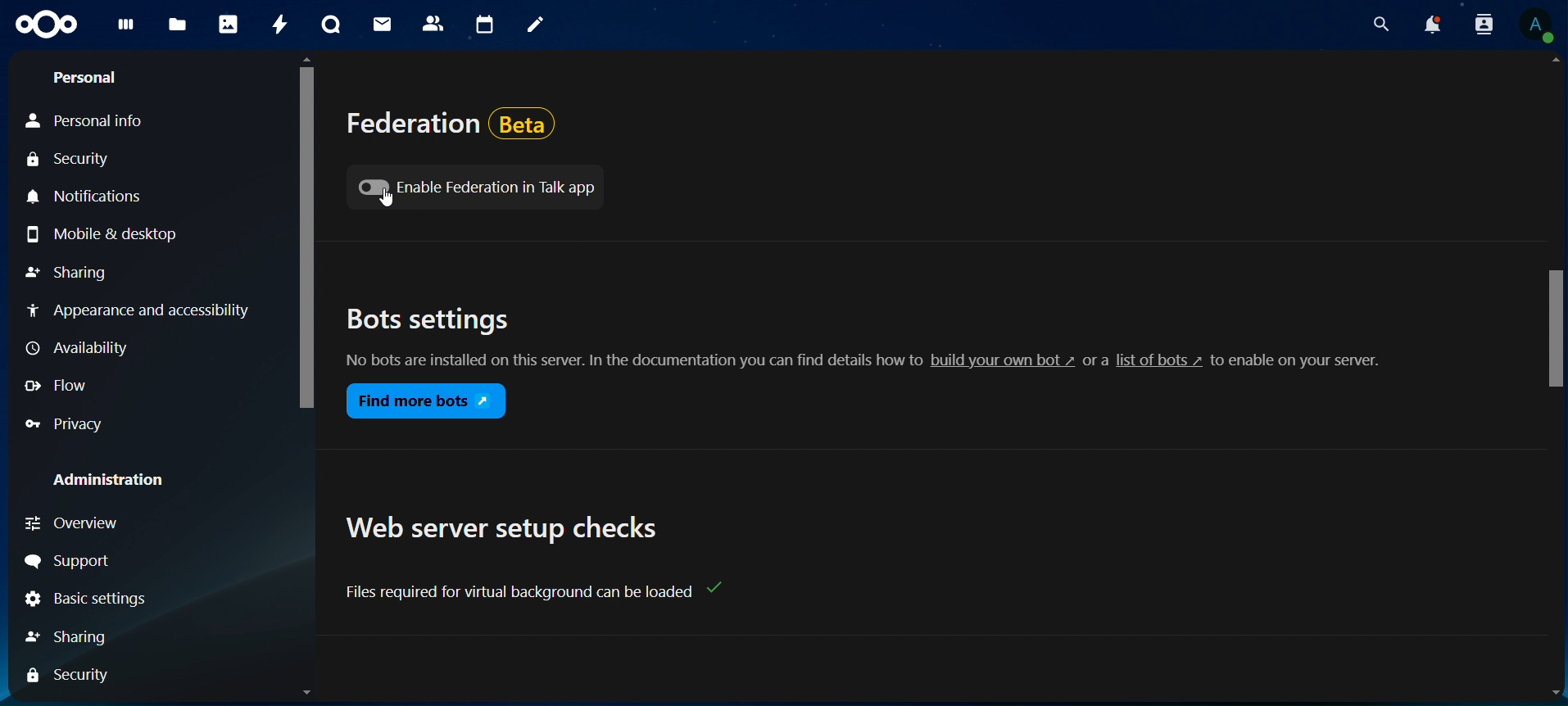 The width and height of the screenshot is (1568, 706). Describe the element at coordinates (72, 561) in the screenshot. I see `Support` at that location.